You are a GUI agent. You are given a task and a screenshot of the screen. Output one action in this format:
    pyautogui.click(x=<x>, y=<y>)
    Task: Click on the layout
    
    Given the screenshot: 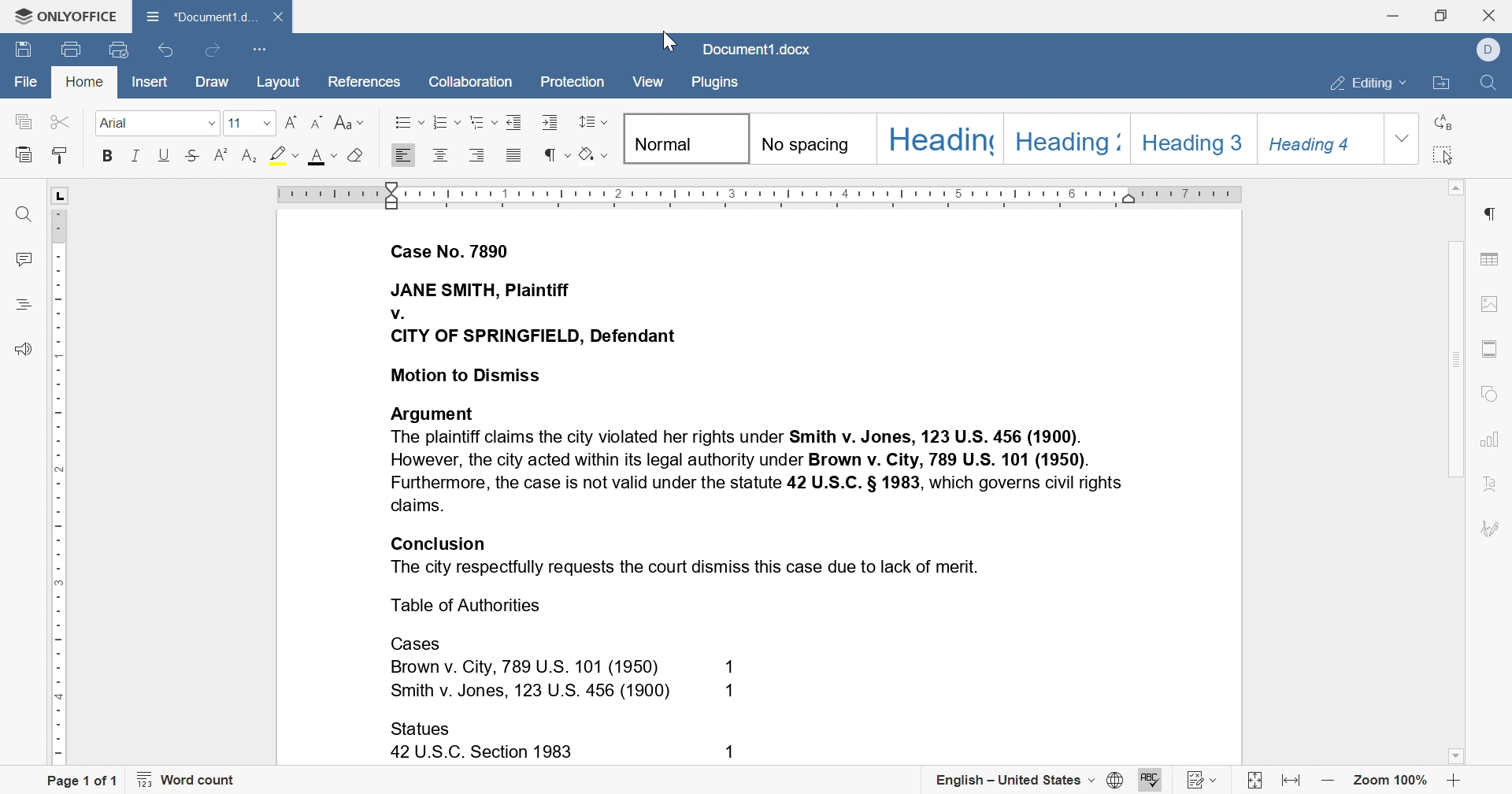 What is the action you would take?
    pyautogui.click(x=279, y=82)
    